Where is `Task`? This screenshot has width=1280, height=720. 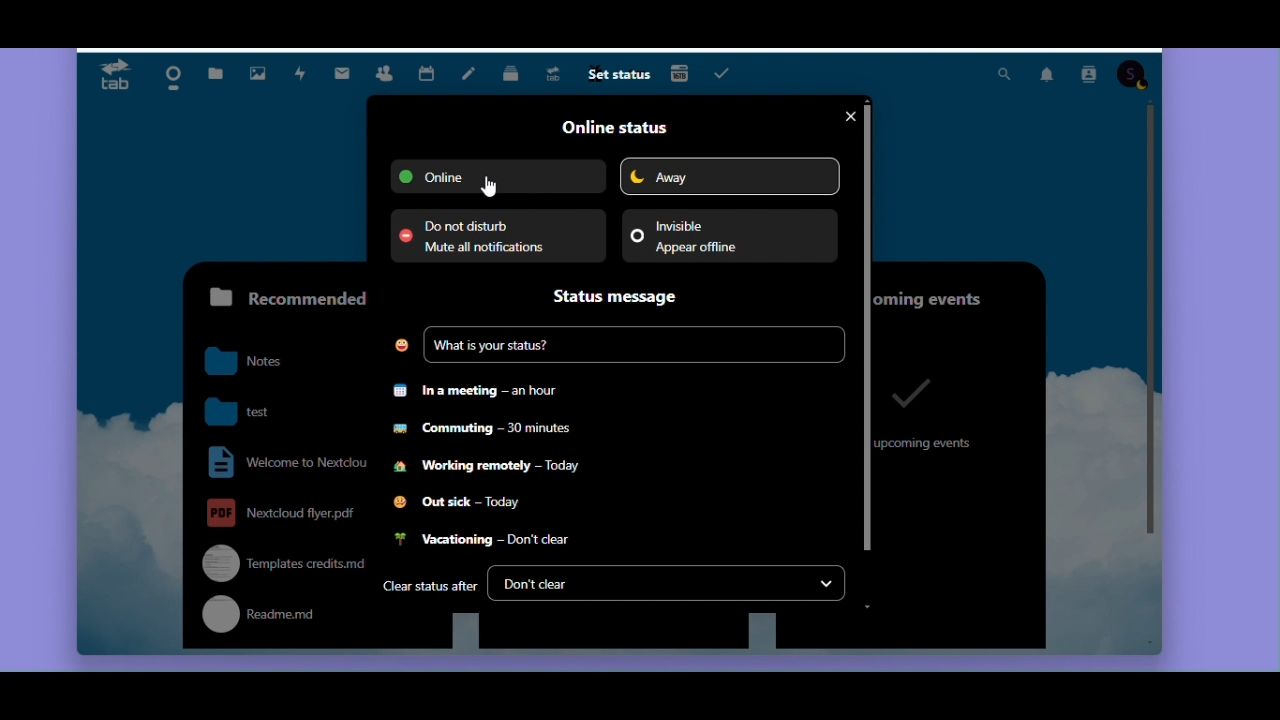 Task is located at coordinates (725, 73).